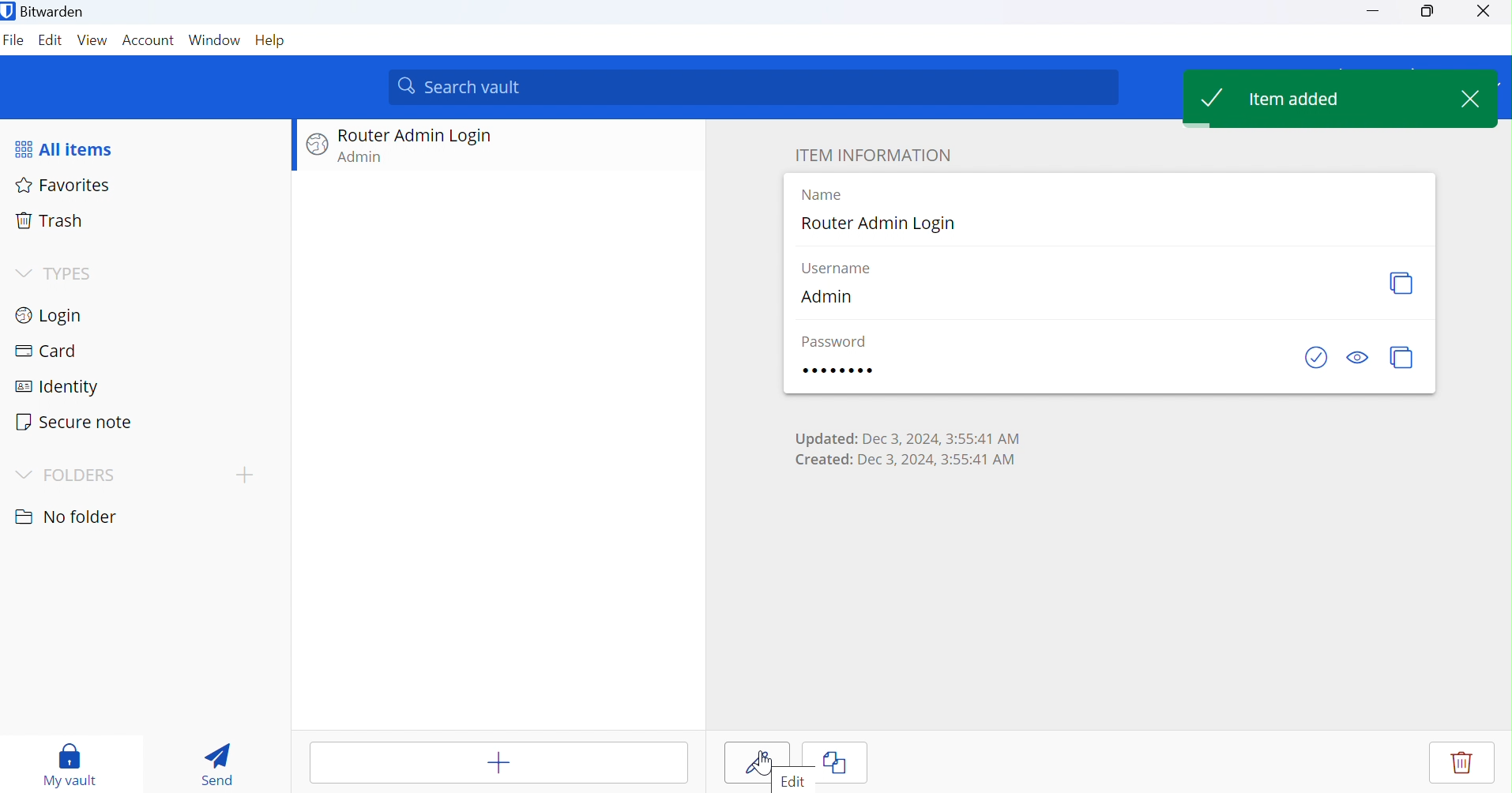 This screenshot has width=1512, height=793. Describe the element at coordinates (837, 268) in the screenshot. I see `Username` at that location.